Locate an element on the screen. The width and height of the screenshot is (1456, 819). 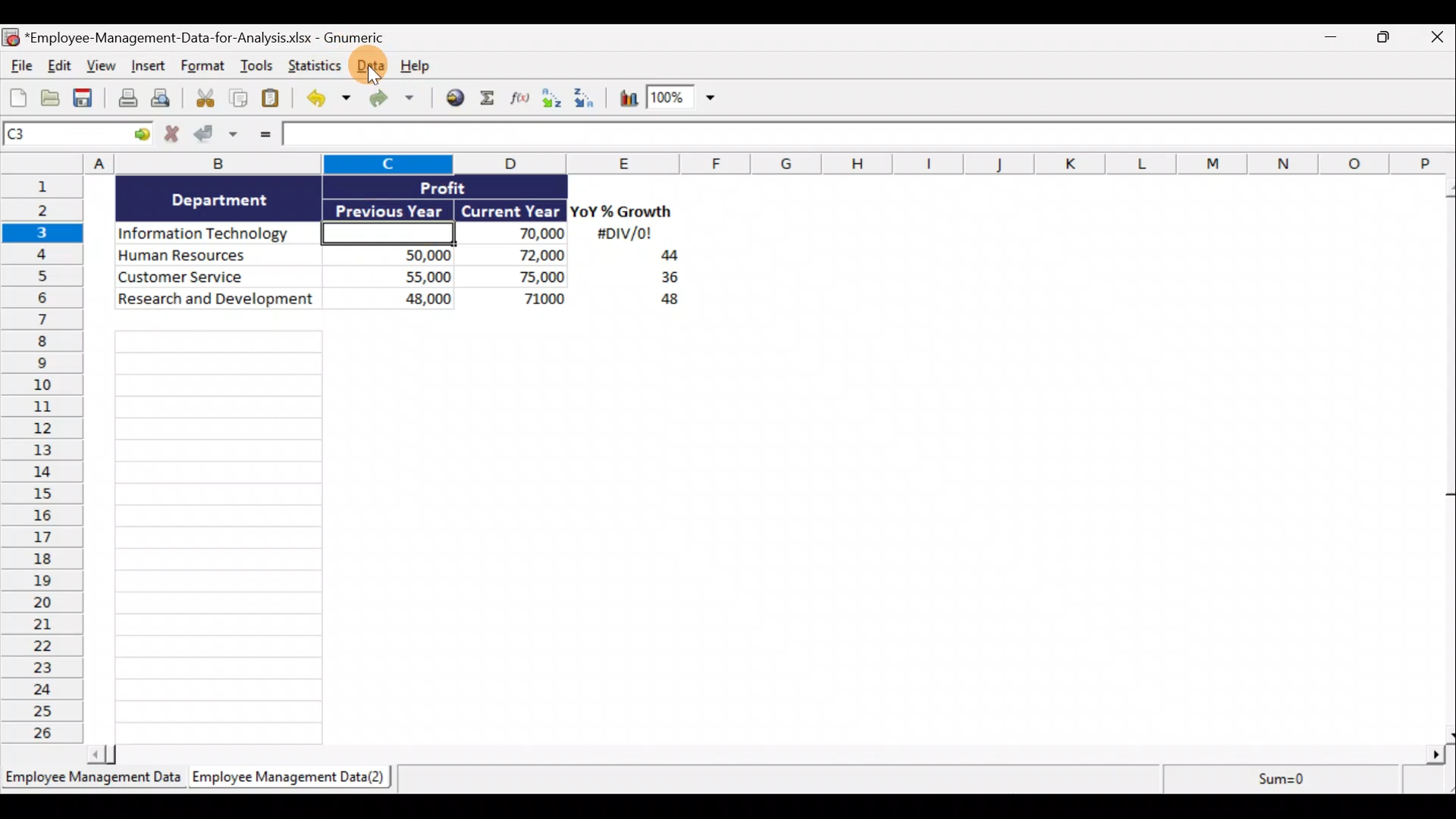
Sum=0 is located at coordinates (1275, 783).